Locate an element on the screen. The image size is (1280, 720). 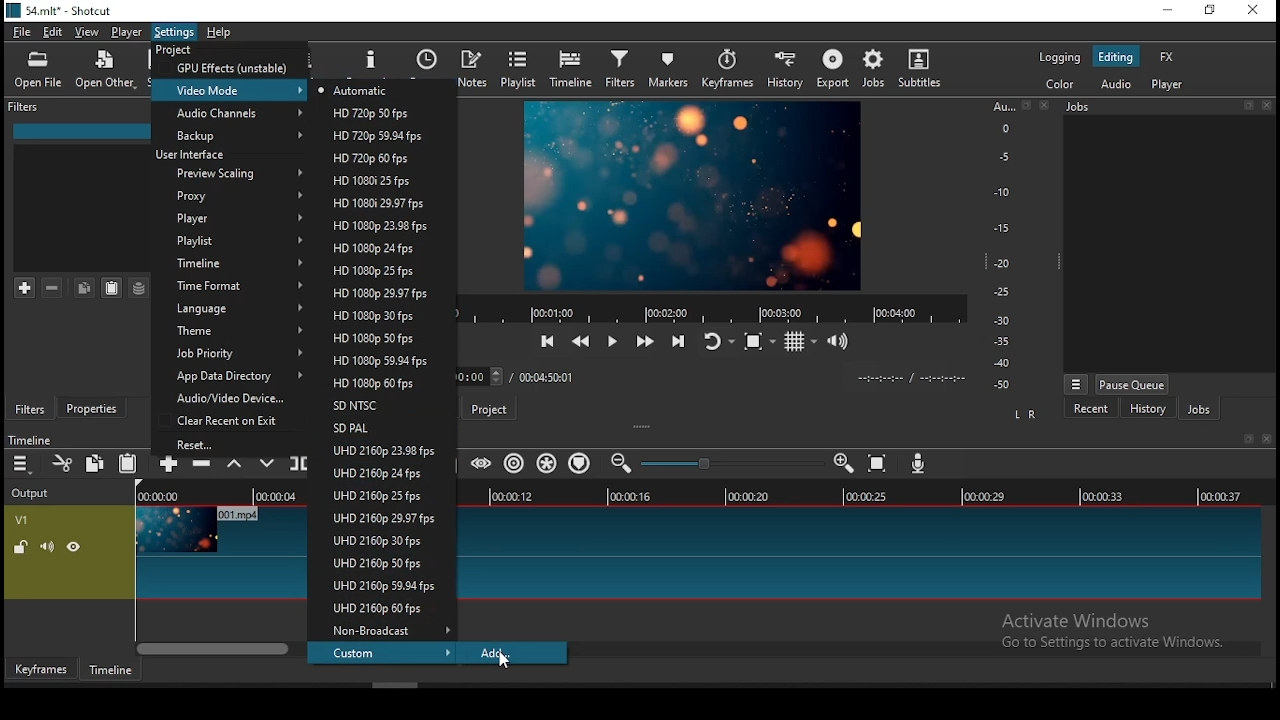
gpu effects is located at coordinates (231, 67).